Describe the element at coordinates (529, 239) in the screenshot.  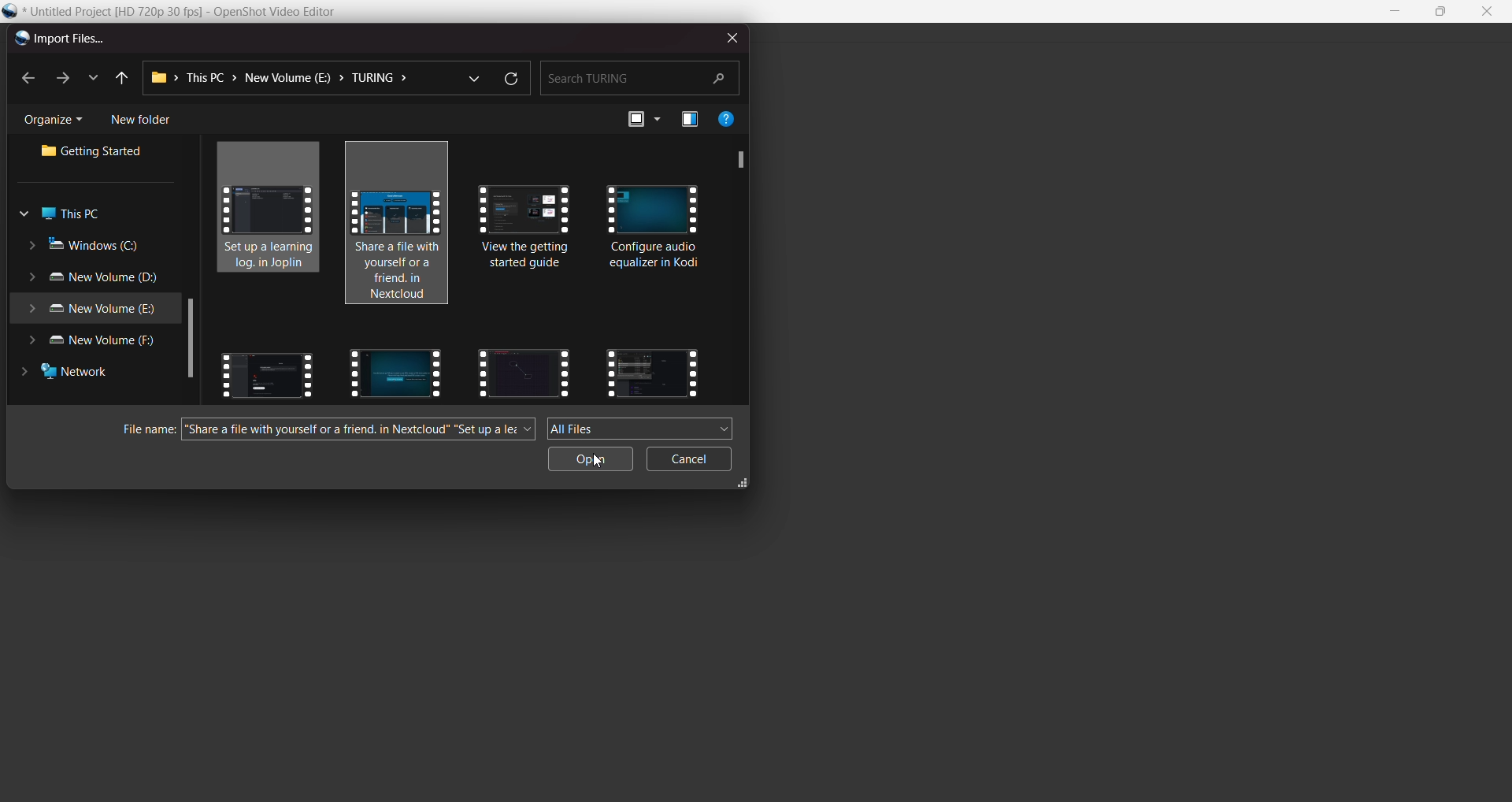
I see `videos` at that location.